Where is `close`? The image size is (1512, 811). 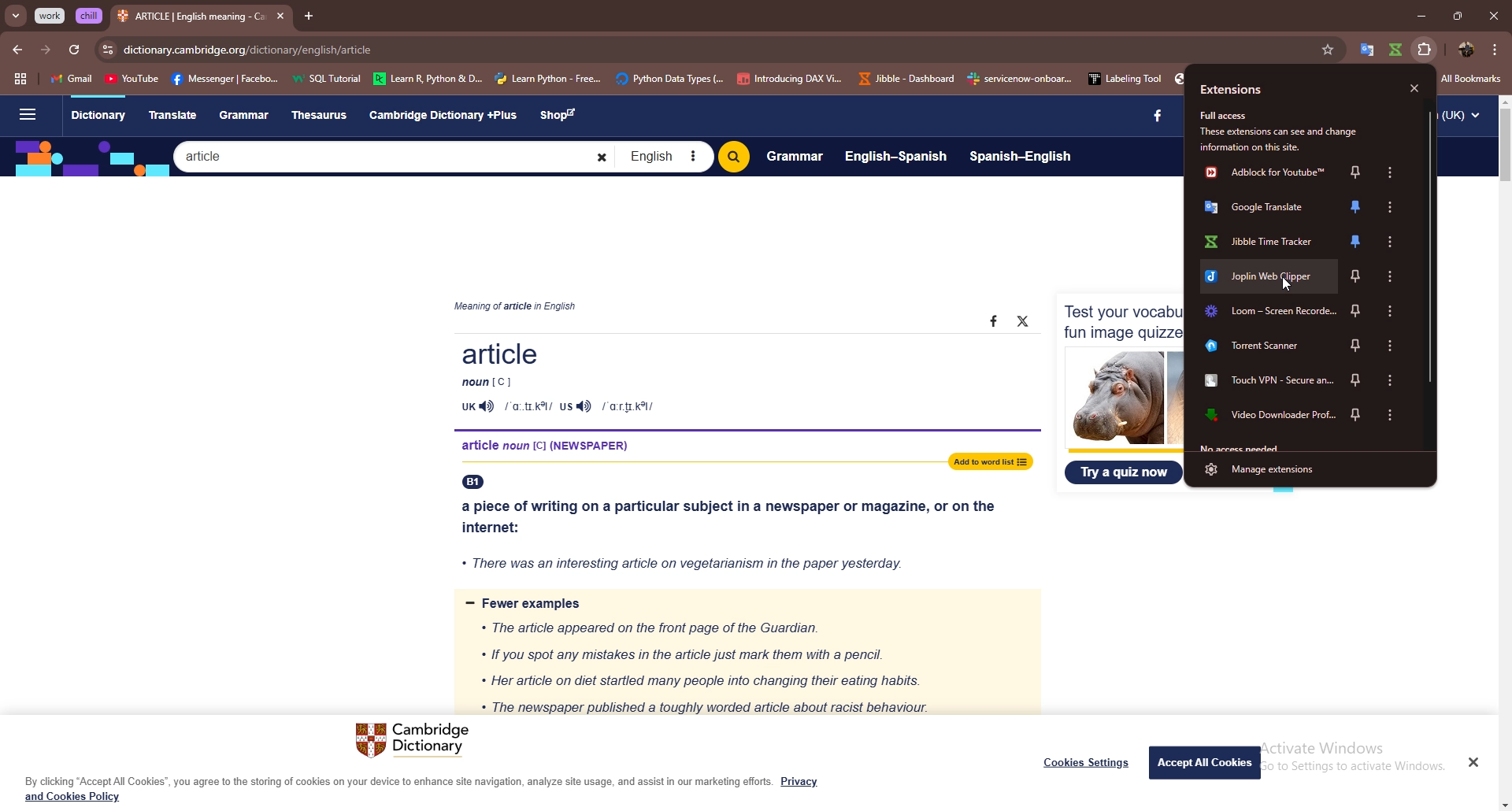 close is located at coordinates (1416, 89).